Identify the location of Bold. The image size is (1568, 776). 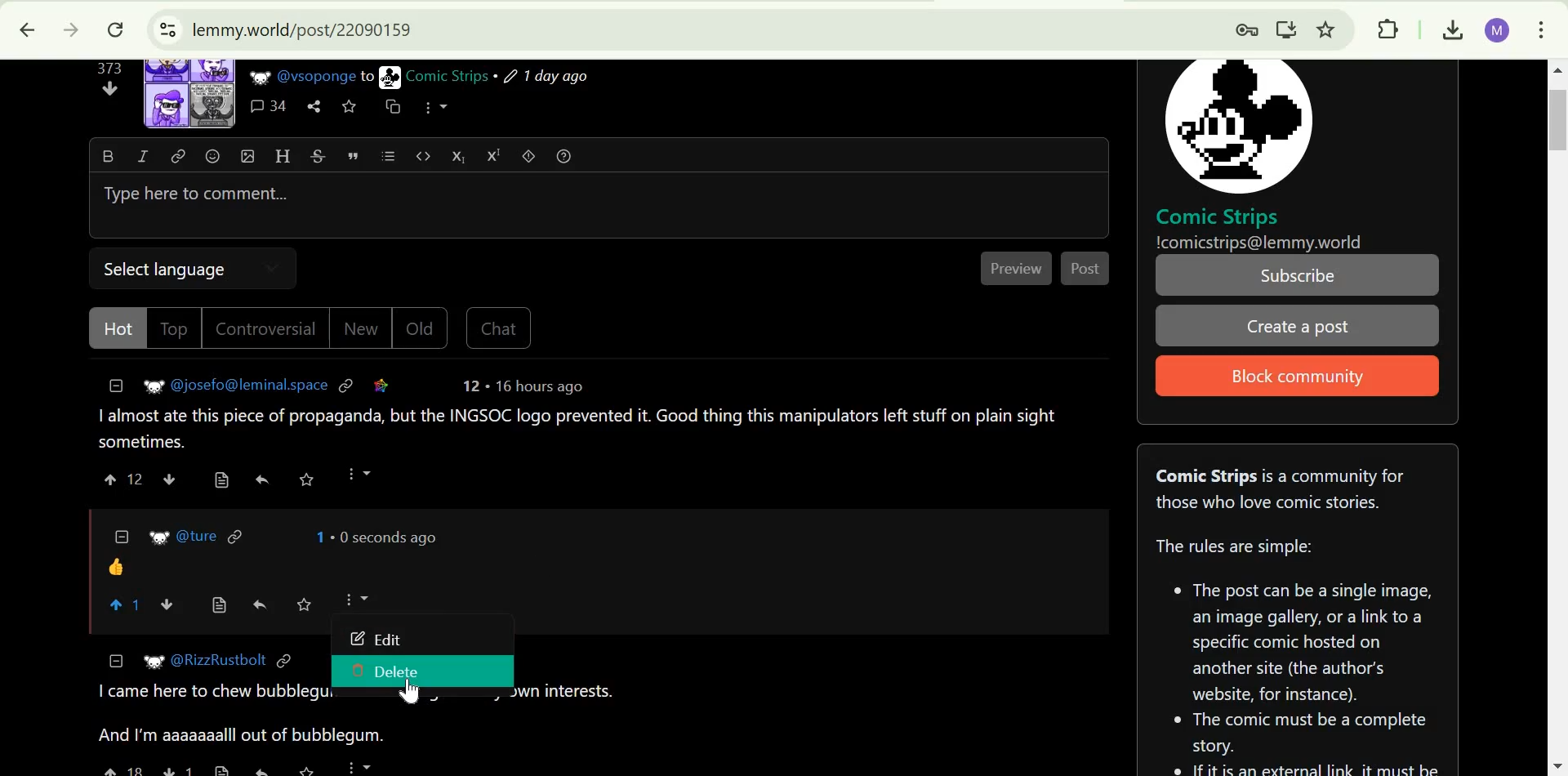
(107, 155).